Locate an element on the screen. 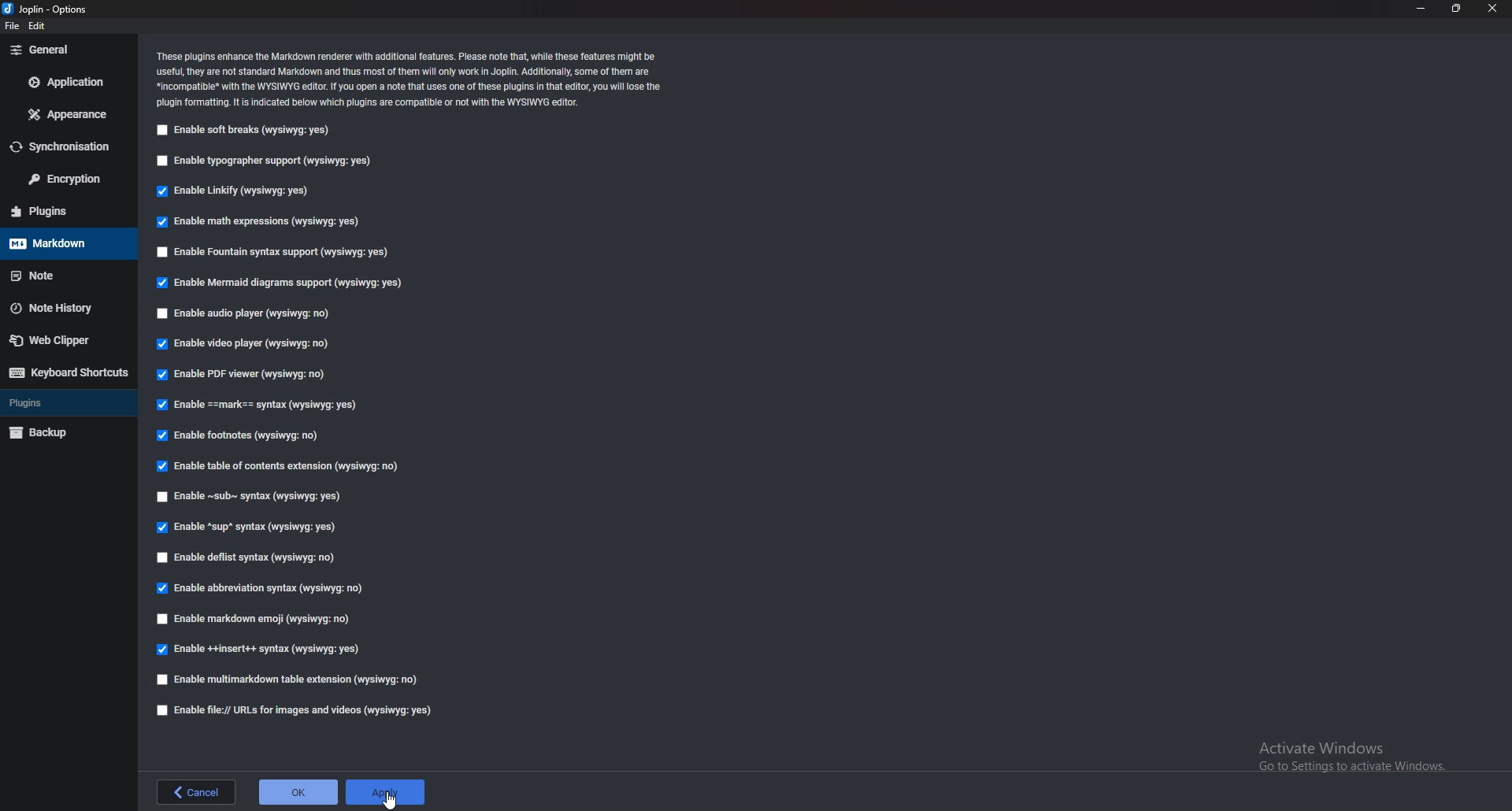 This screenshot has height=811, width=1512. ok is located at coordinates (297, 791).